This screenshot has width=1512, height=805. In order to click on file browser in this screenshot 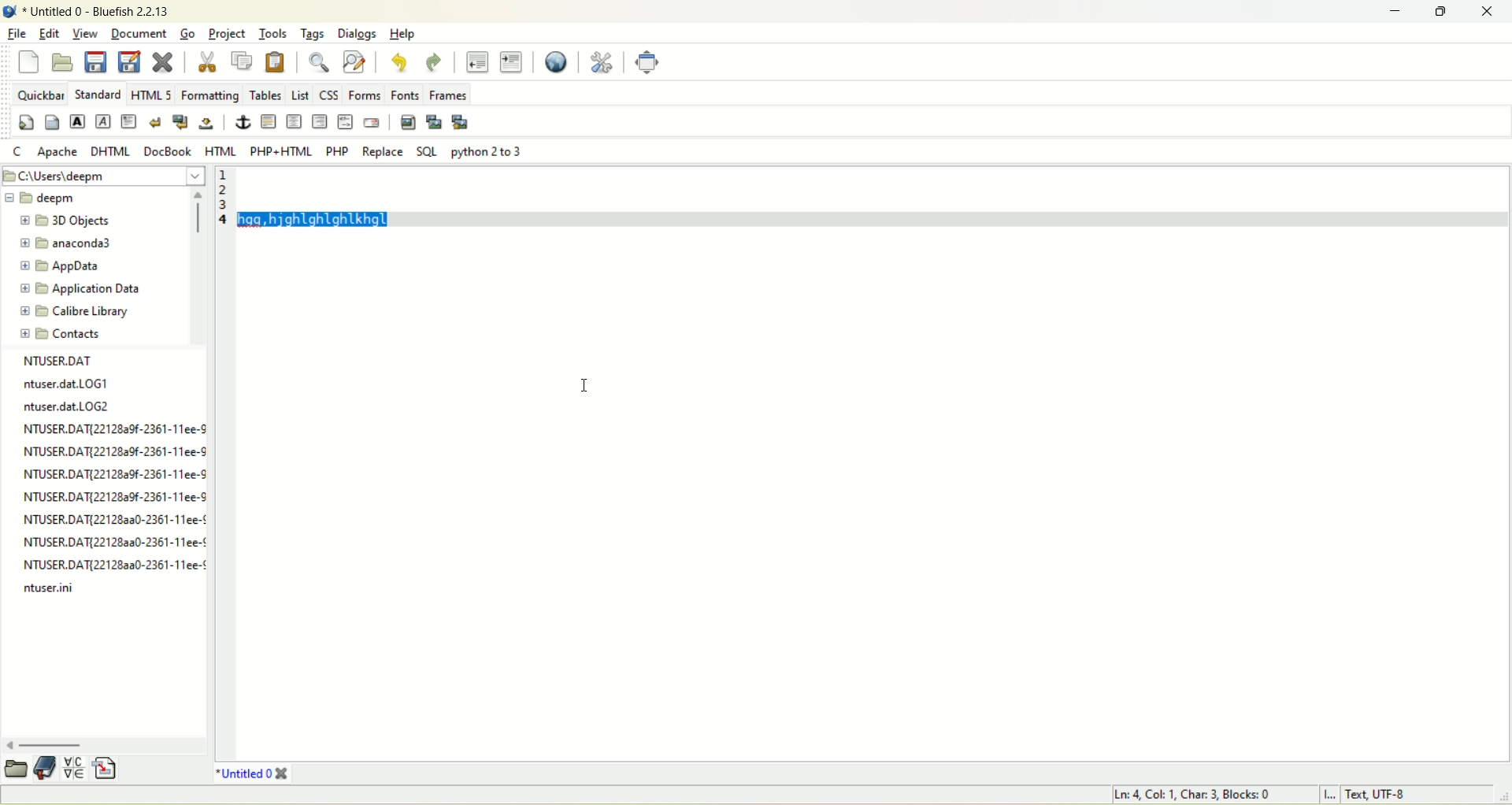, I will do `click(15, 770)`.